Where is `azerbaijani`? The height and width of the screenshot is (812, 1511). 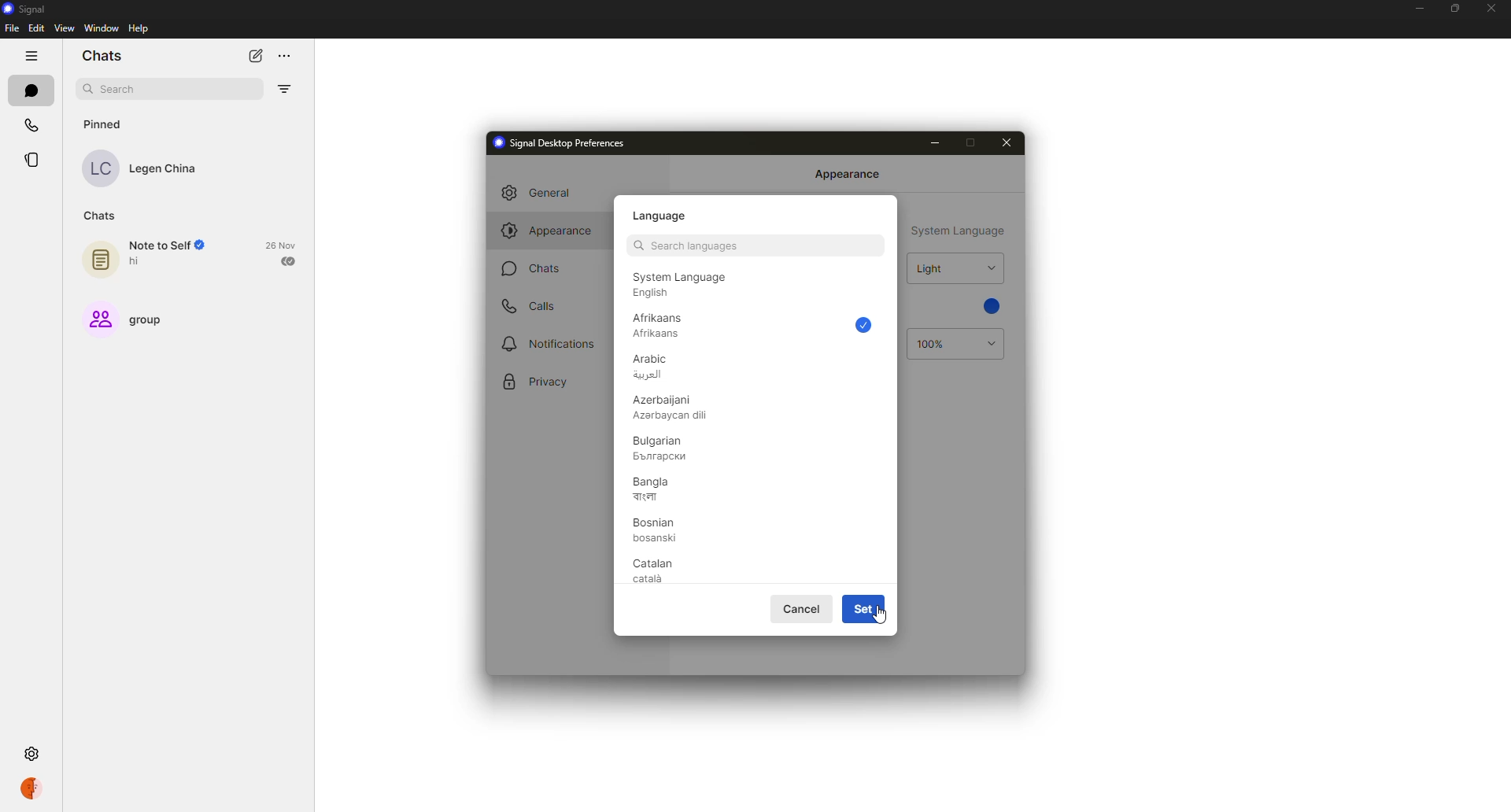
azerbaijani is located at coordinates (669, 408).